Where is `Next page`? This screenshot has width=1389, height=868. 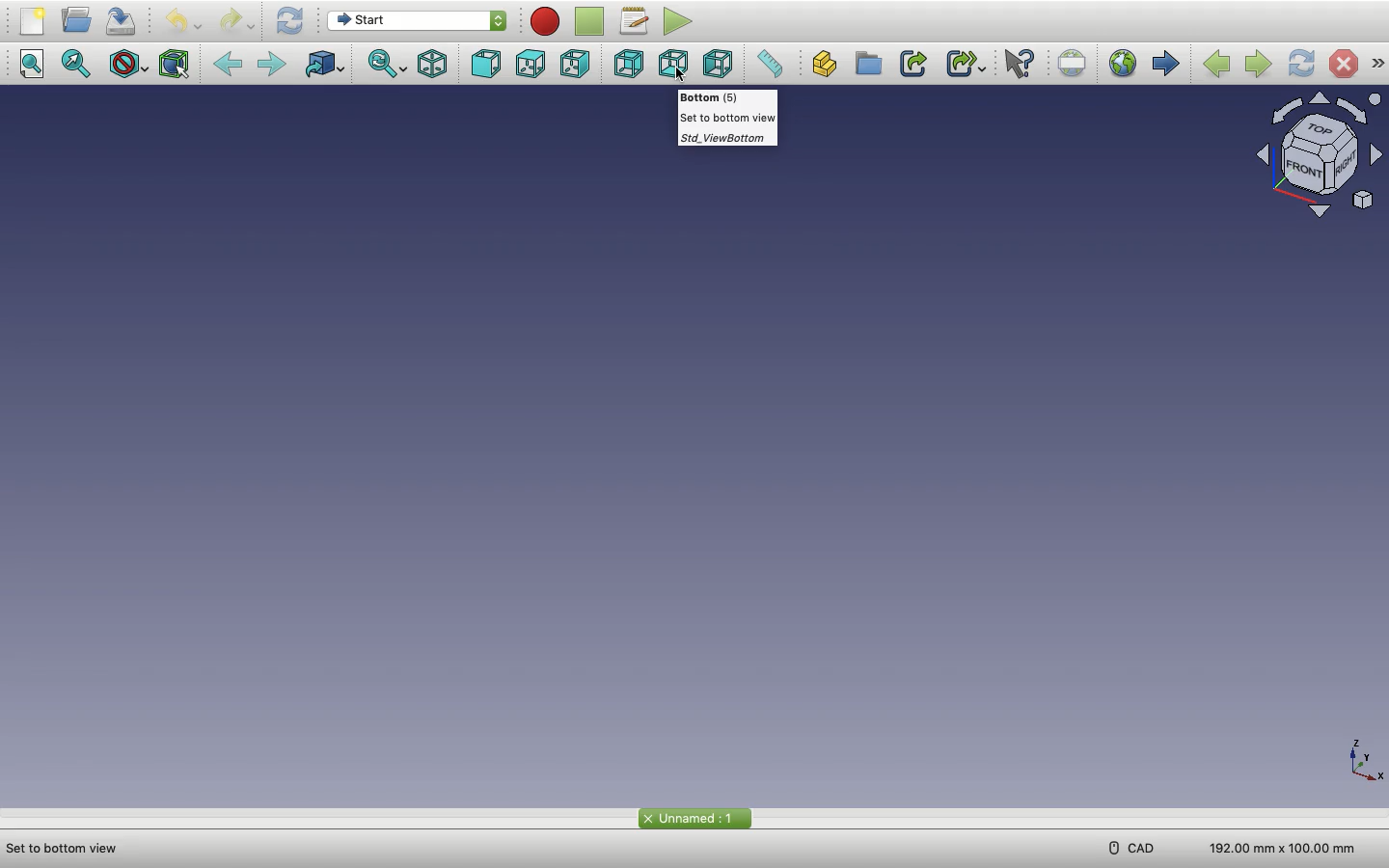 Next page is located at coordinates (1258, 62).